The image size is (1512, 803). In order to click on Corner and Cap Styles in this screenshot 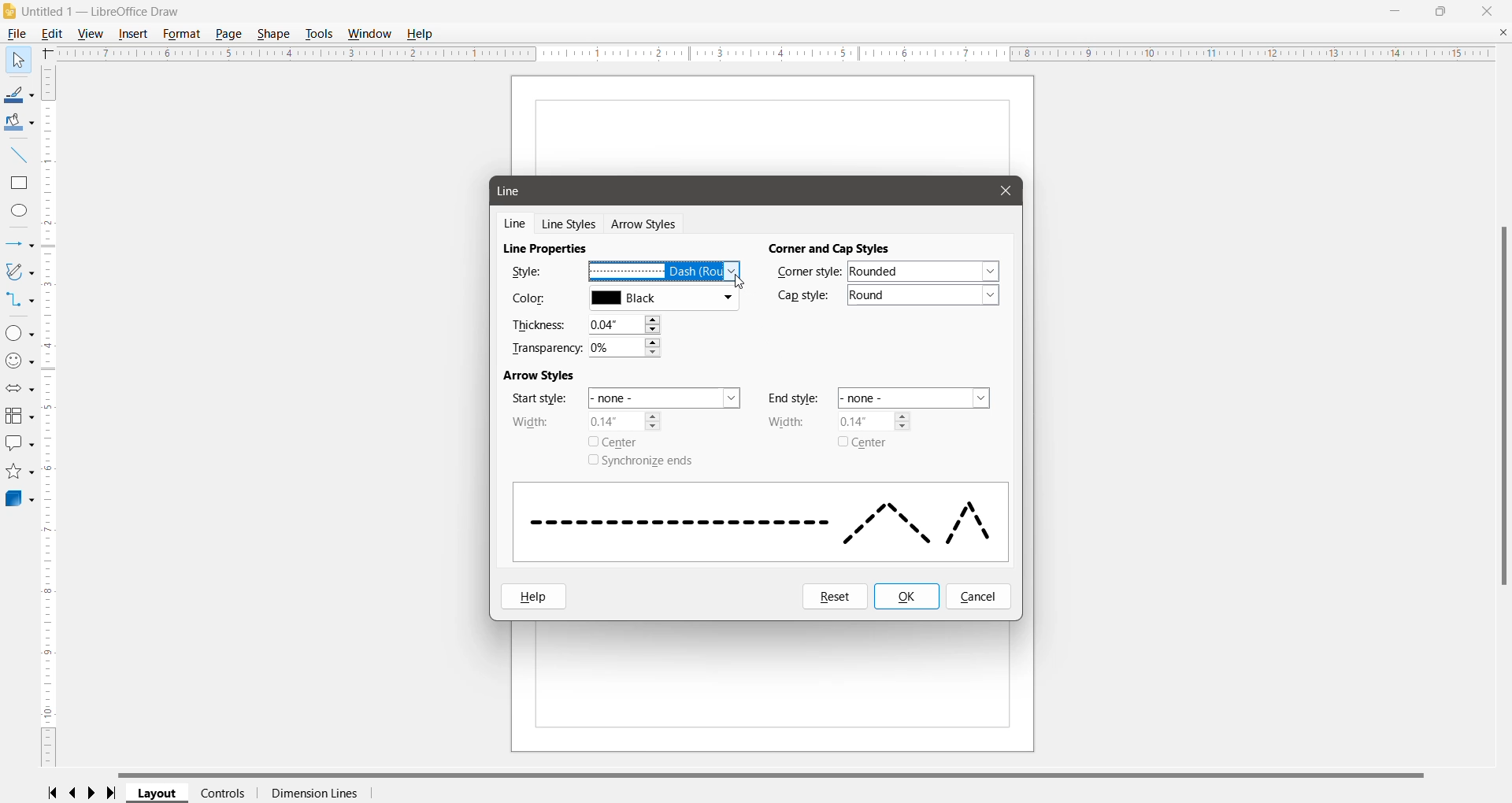, I will do `click(830, 248)`.